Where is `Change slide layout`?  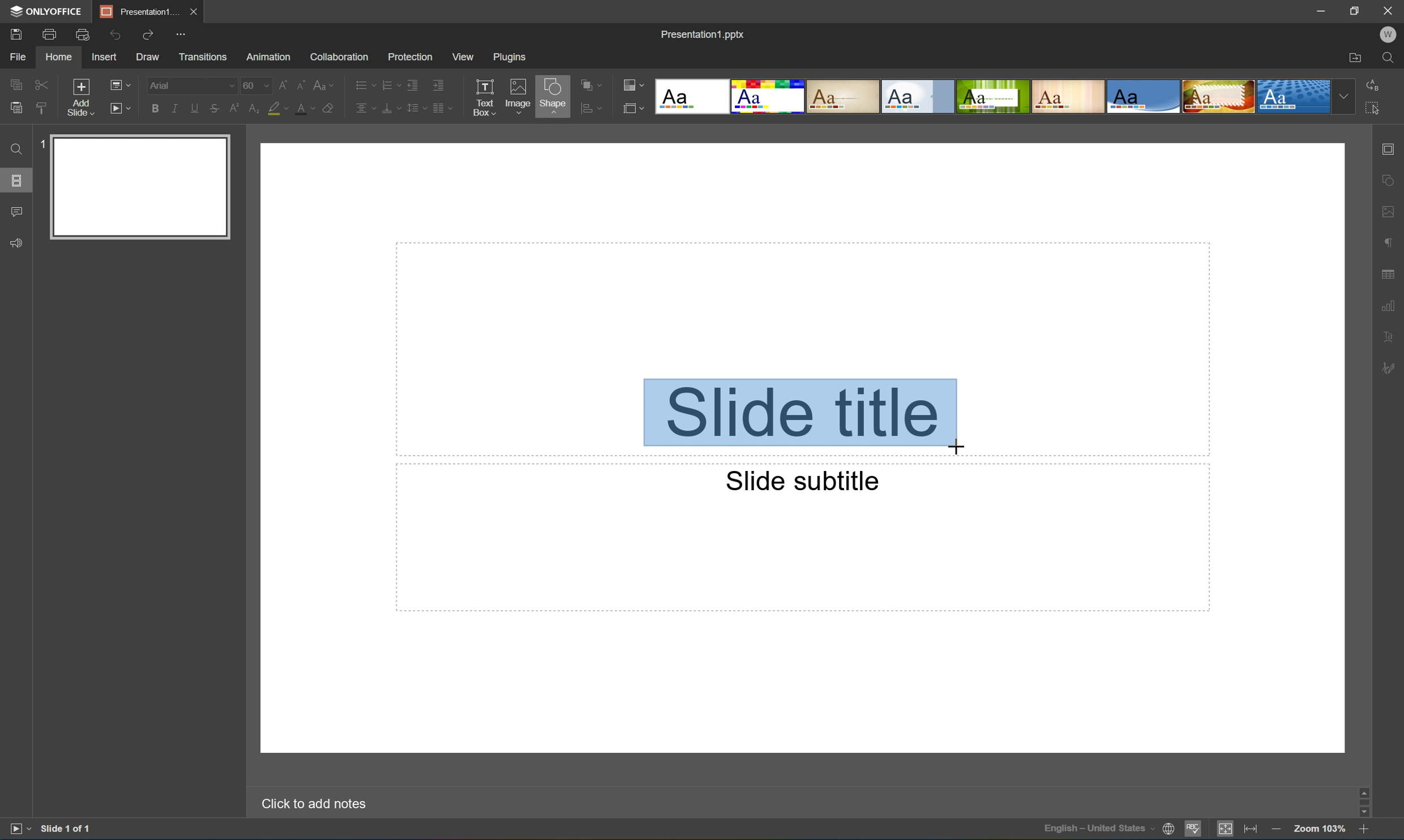
Change slide layout is located at coordinates (121, 84).